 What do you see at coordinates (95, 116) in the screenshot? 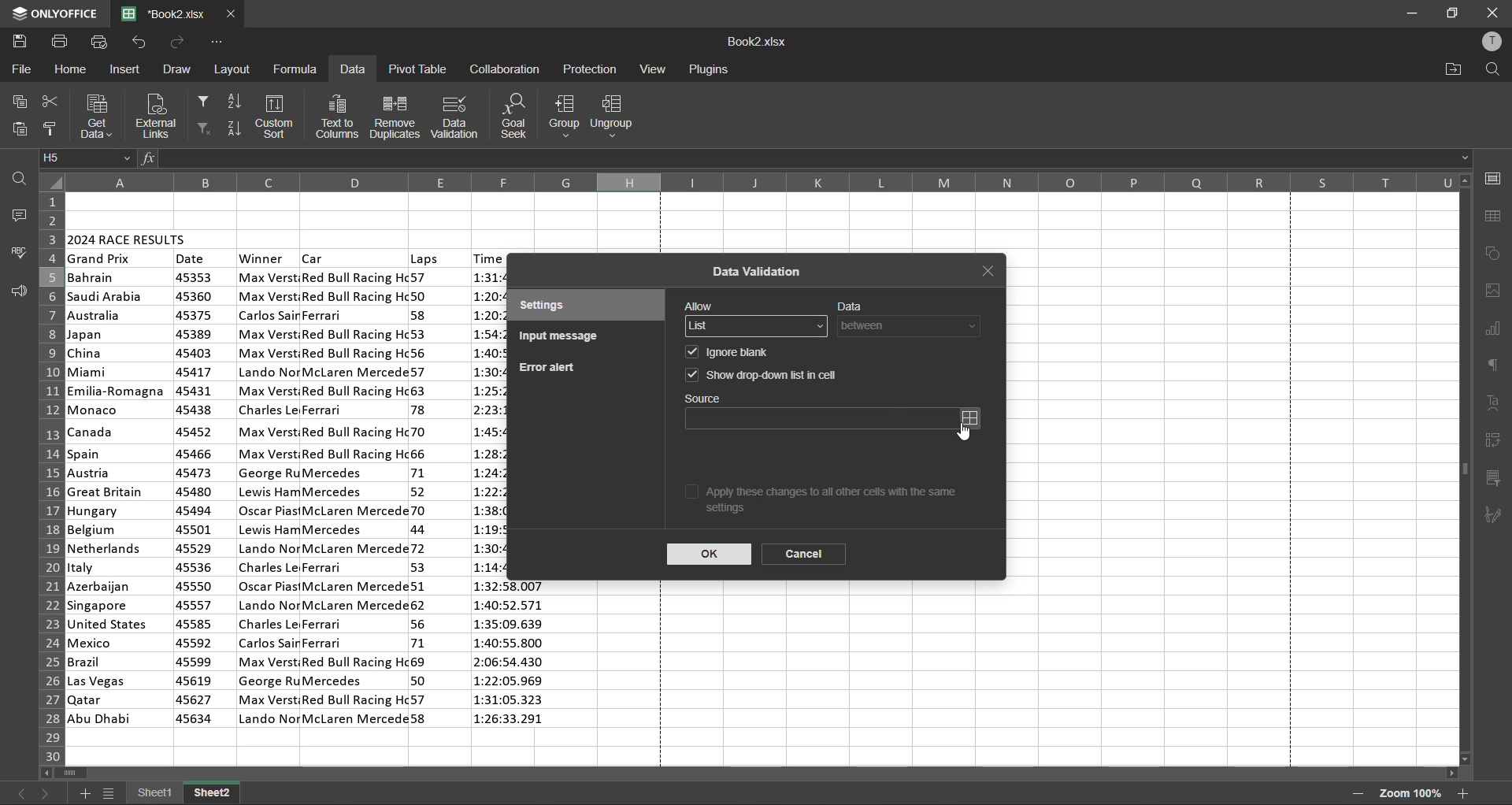
I see `get data` at bounding box center [95, 116].